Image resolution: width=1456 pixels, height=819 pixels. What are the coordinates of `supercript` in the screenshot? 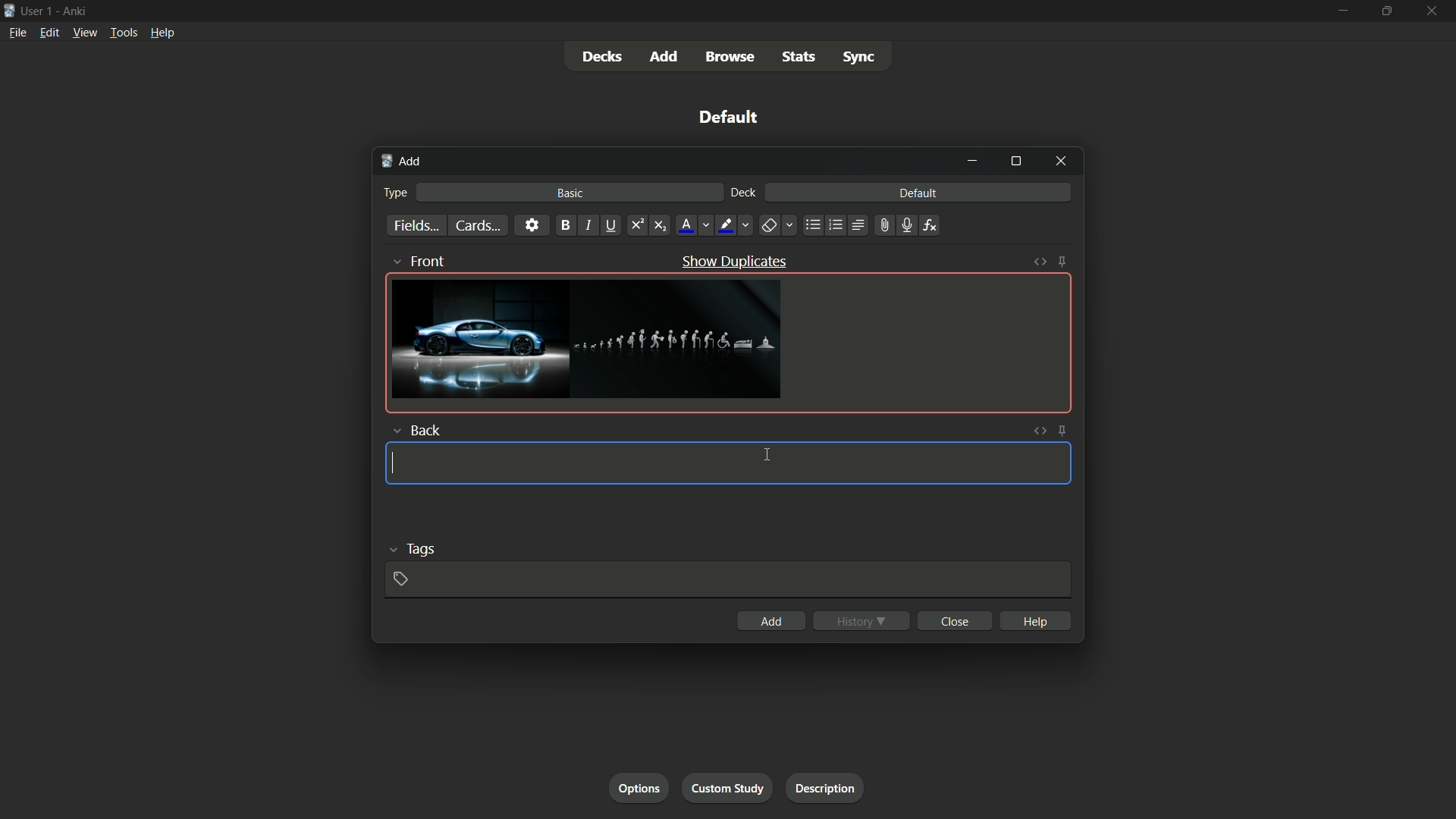 It's located at (639, 224).